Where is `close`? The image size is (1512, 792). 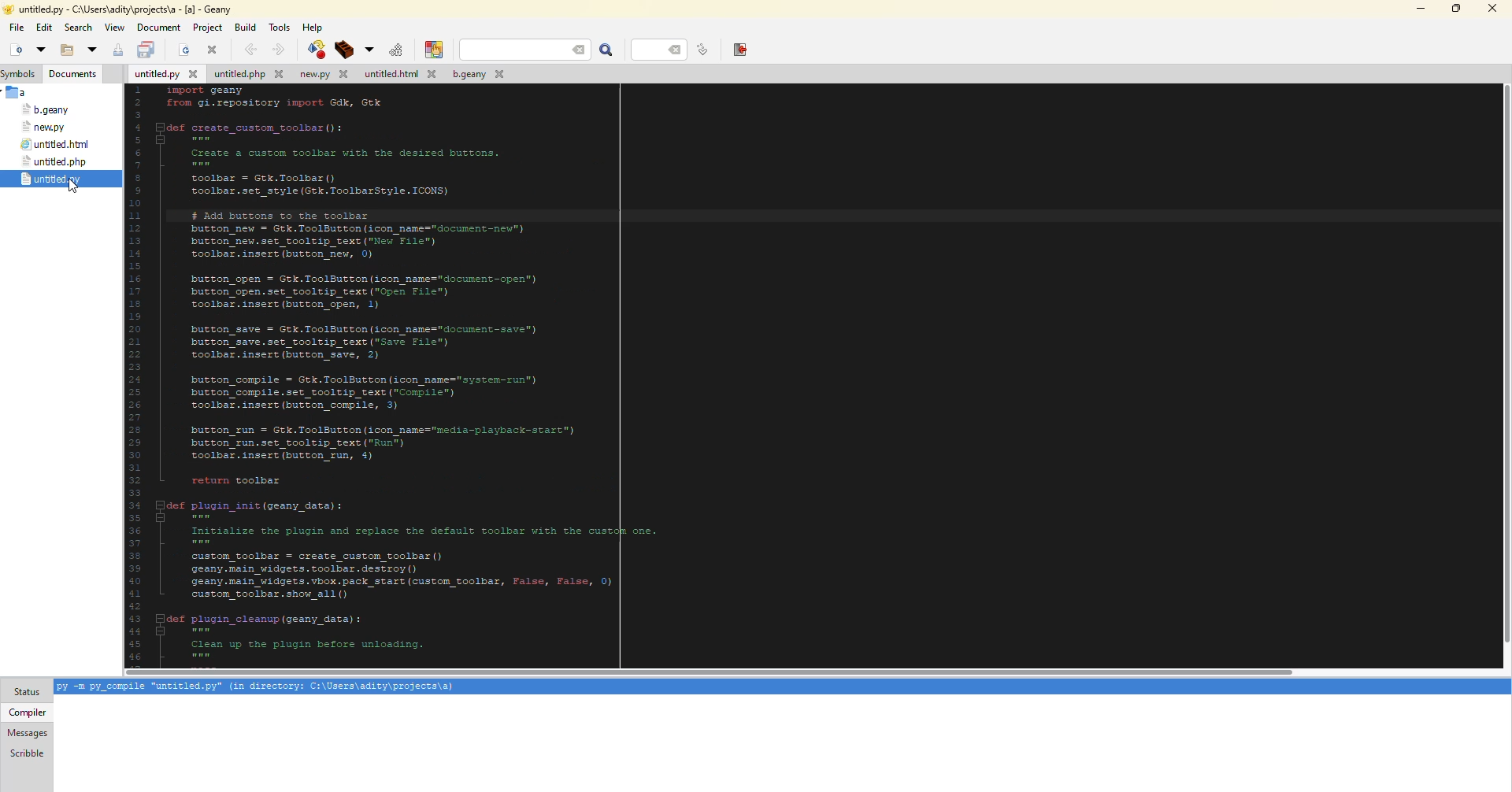 close is located at coordinates (1492, 8).